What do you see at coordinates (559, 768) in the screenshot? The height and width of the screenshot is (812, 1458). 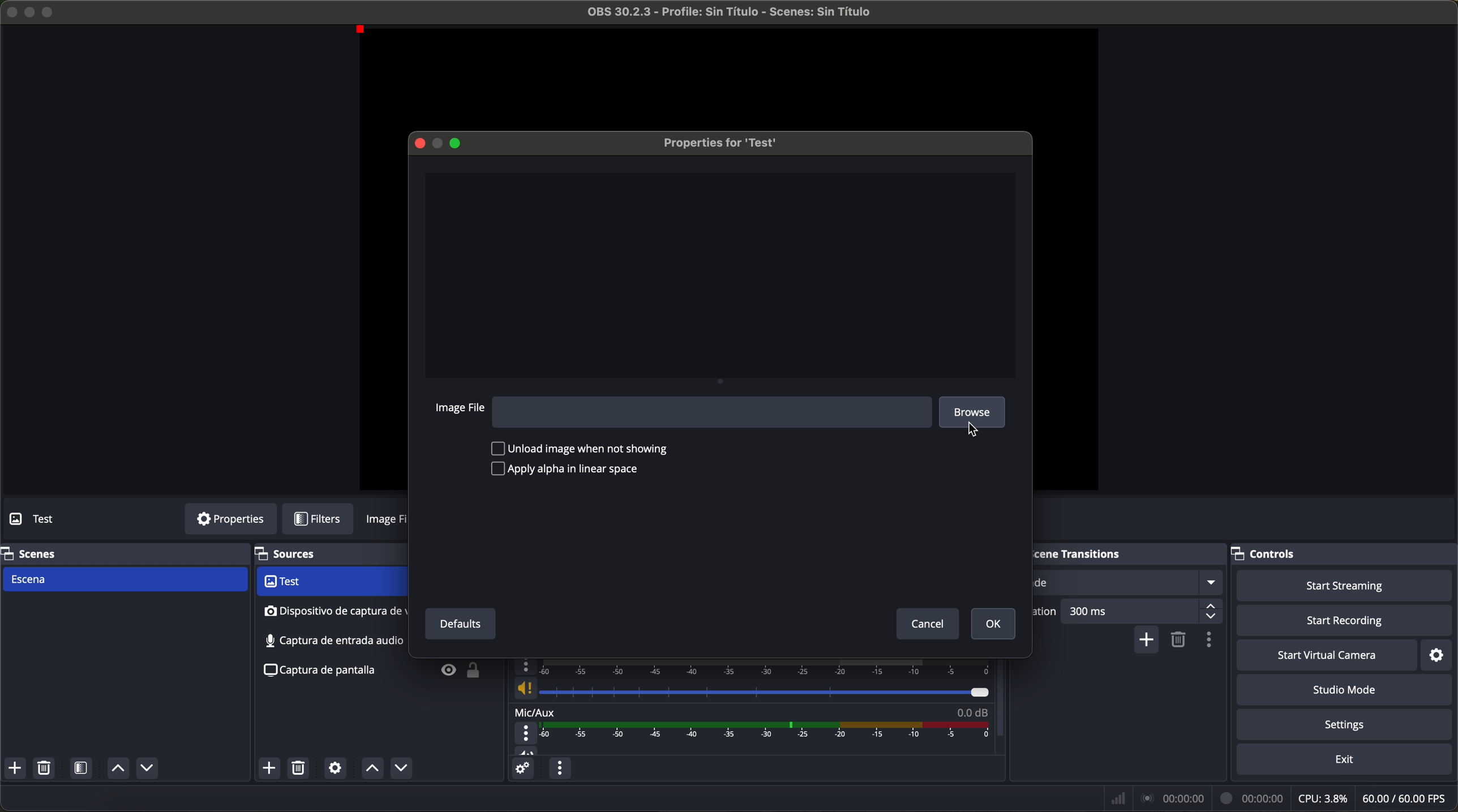 I see `audio mixer menu` at bounding box center [559, 768].